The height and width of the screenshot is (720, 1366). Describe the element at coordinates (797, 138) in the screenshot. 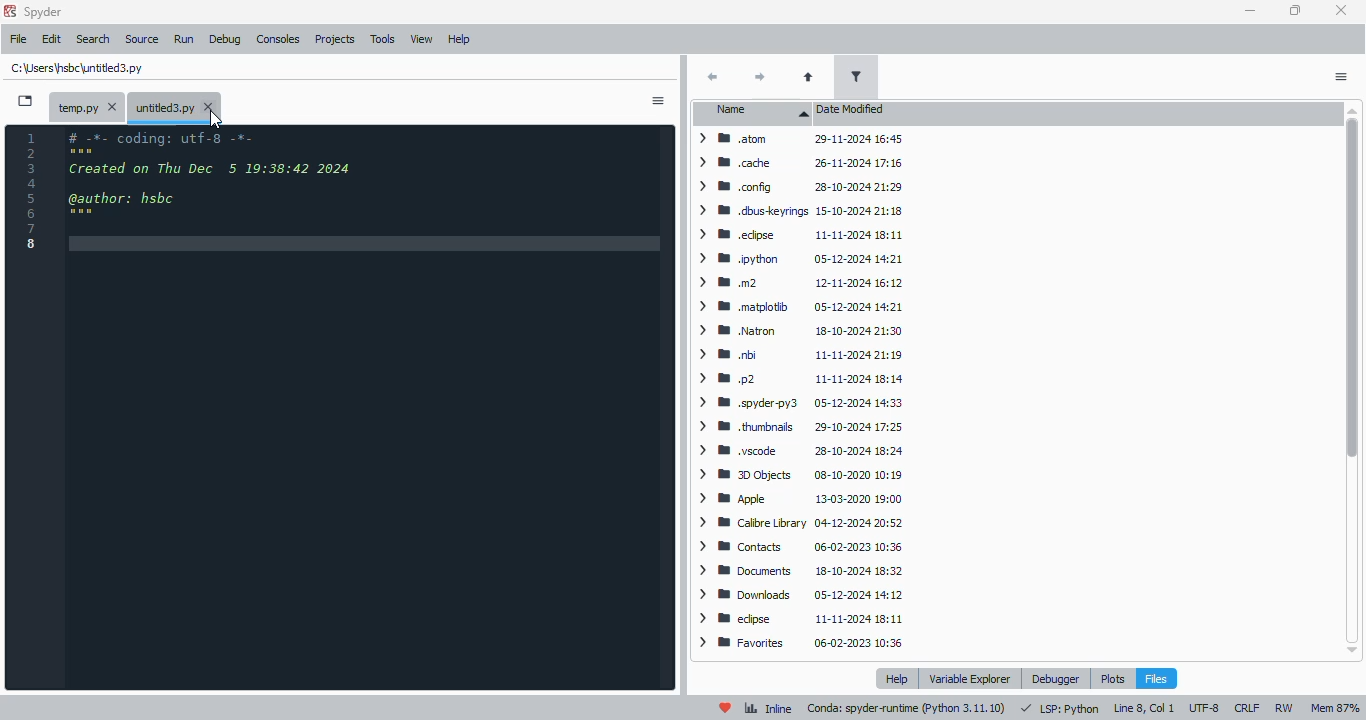

I see `> BB atom 29-11-2024 16:45` at that location.